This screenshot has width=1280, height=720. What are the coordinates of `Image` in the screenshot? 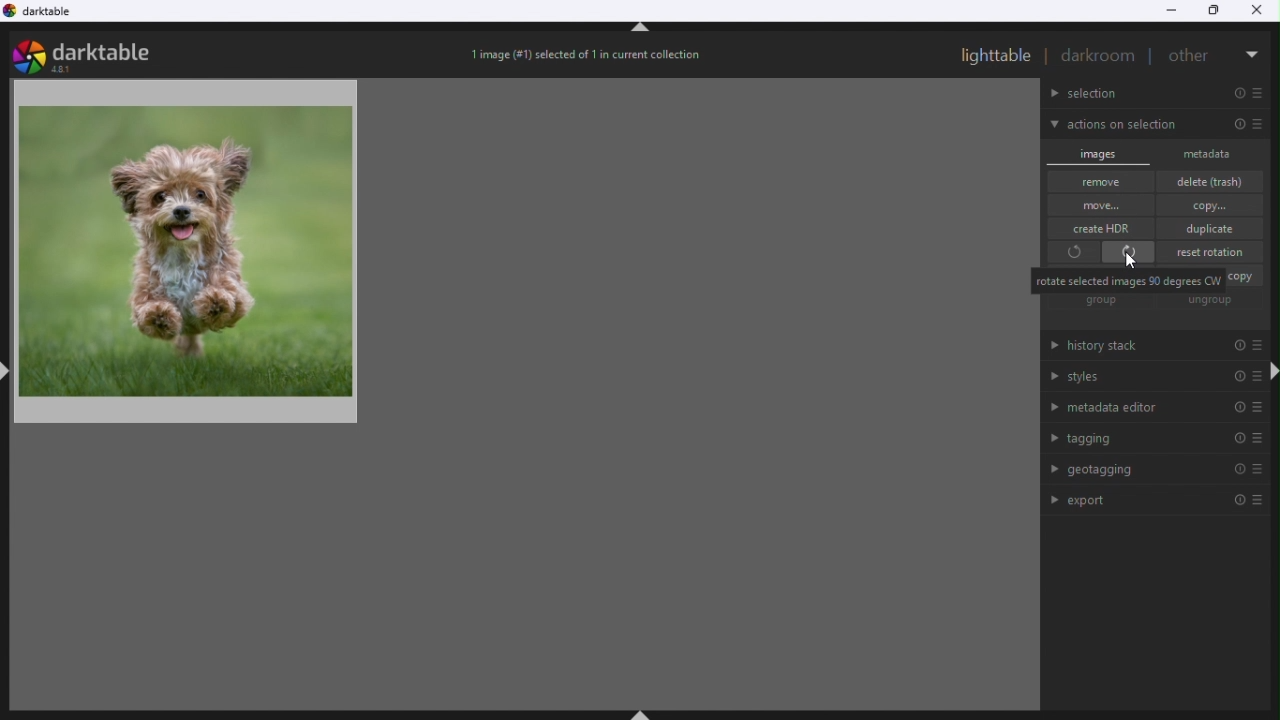 It's located at (231, 287).